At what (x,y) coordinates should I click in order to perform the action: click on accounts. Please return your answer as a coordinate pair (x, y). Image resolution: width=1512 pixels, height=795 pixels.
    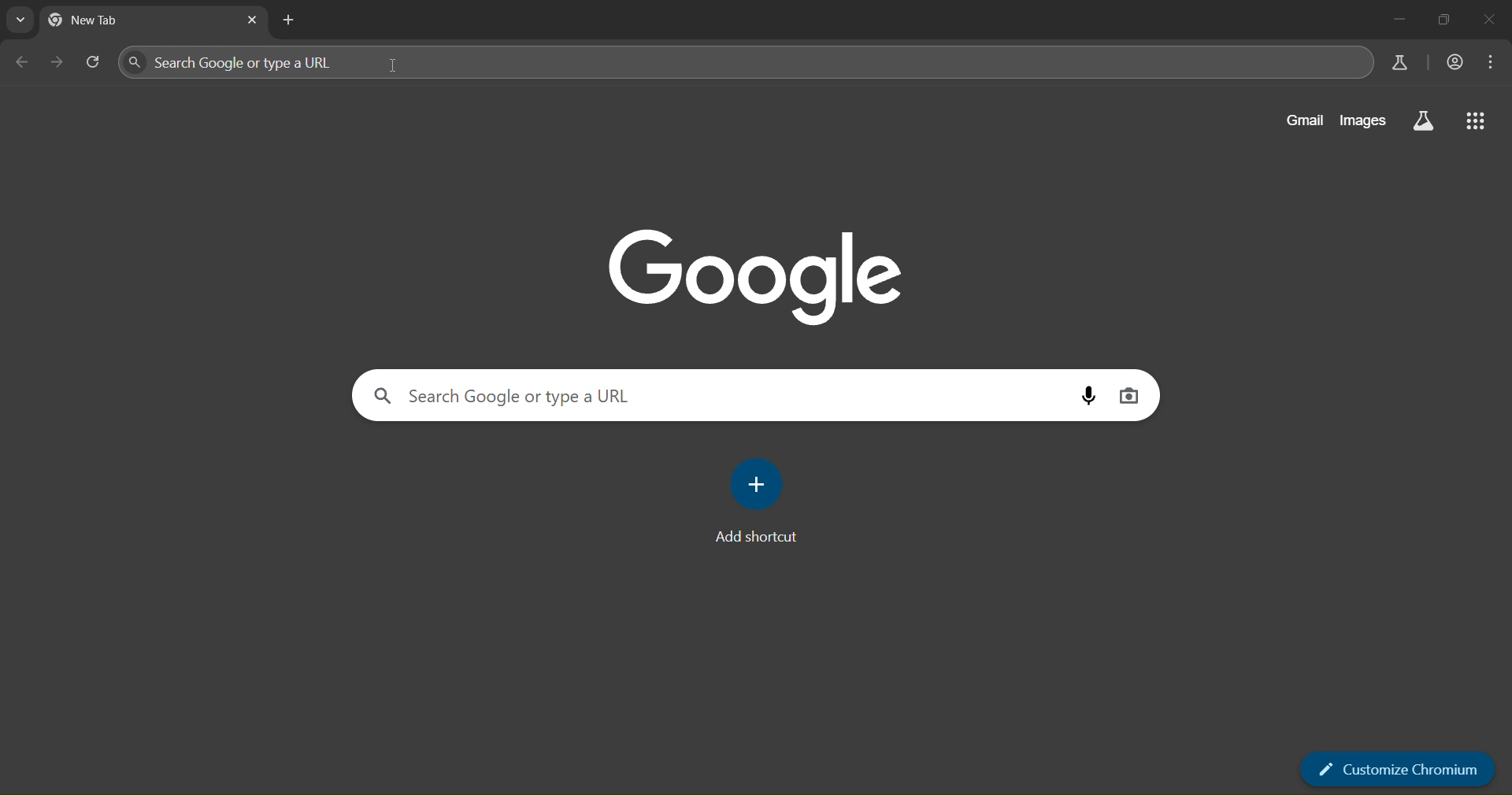
    Looking at the image, I should click on (1456, 62).